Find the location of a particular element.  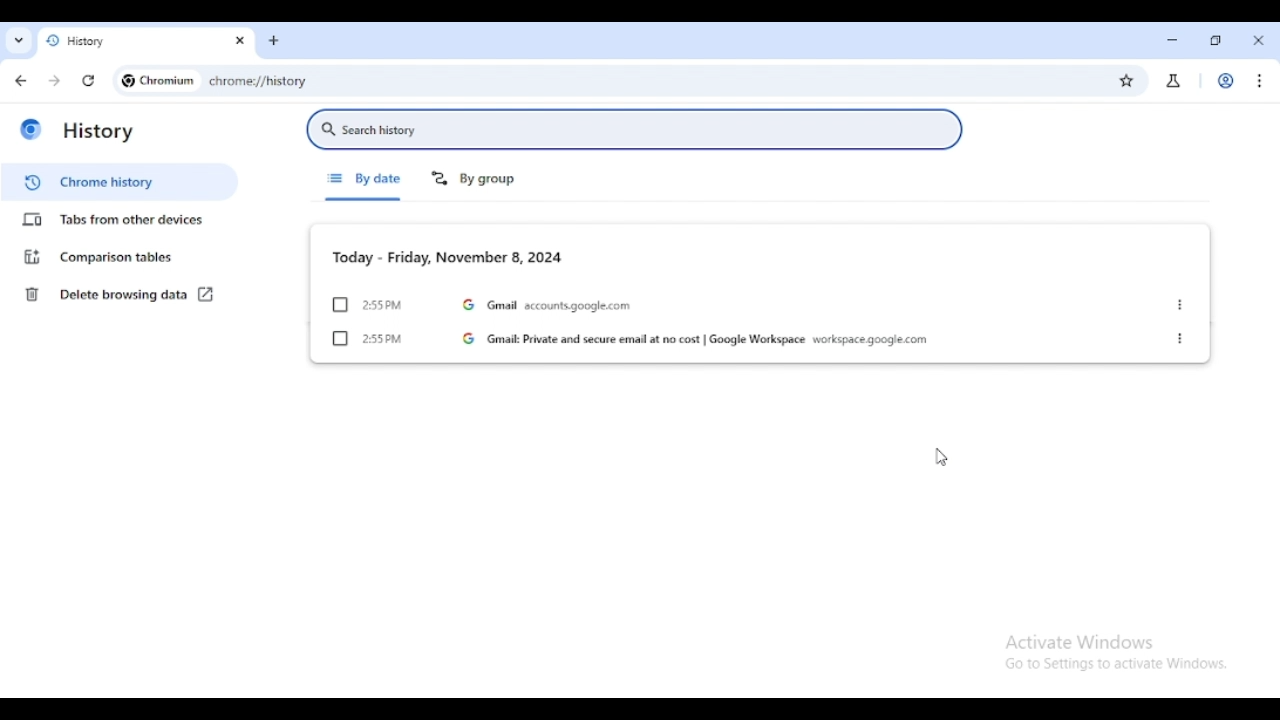

profile is located at coordinates (1226, 81).